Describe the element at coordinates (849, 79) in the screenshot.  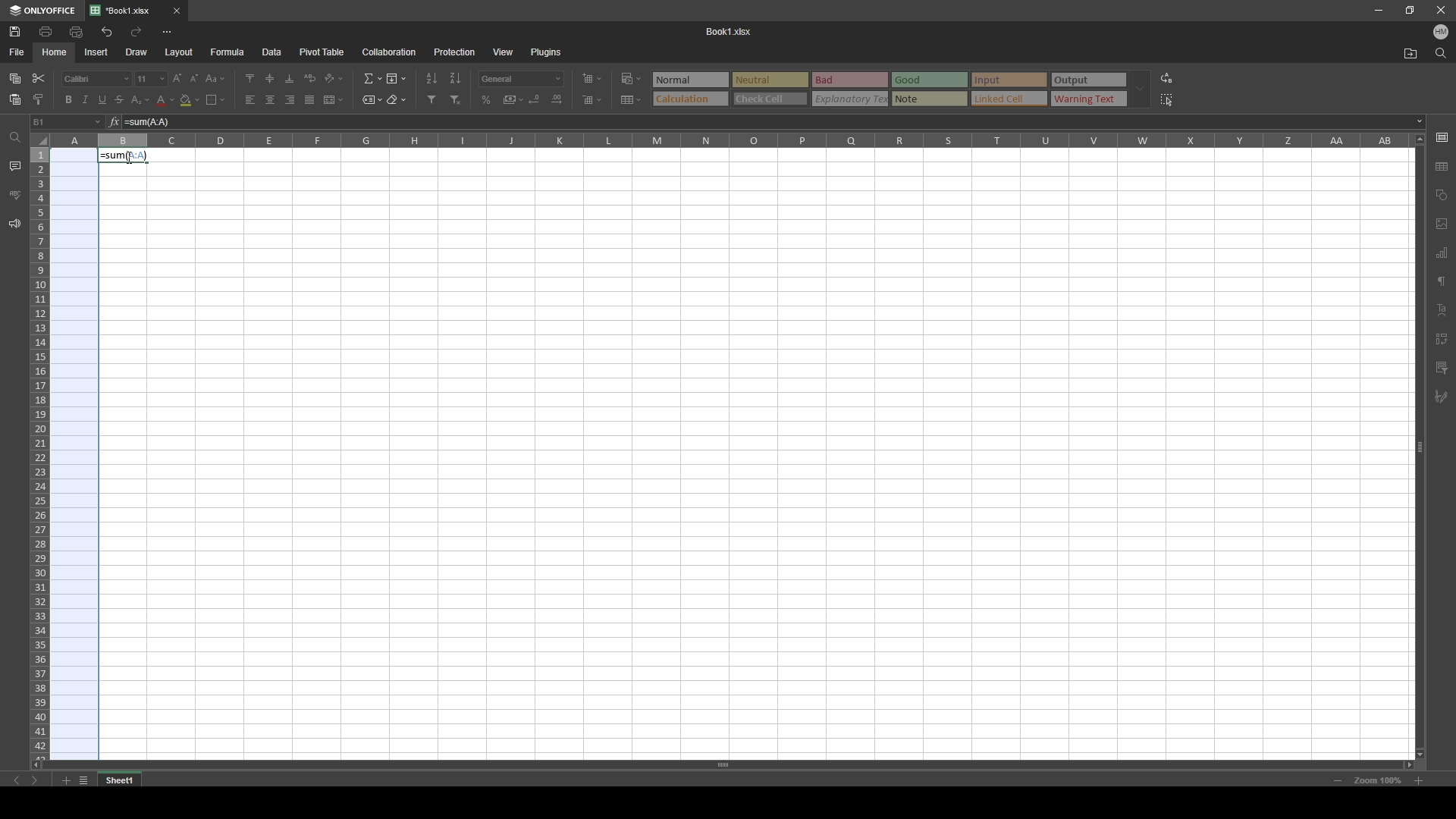
I see `Bad` at that location.